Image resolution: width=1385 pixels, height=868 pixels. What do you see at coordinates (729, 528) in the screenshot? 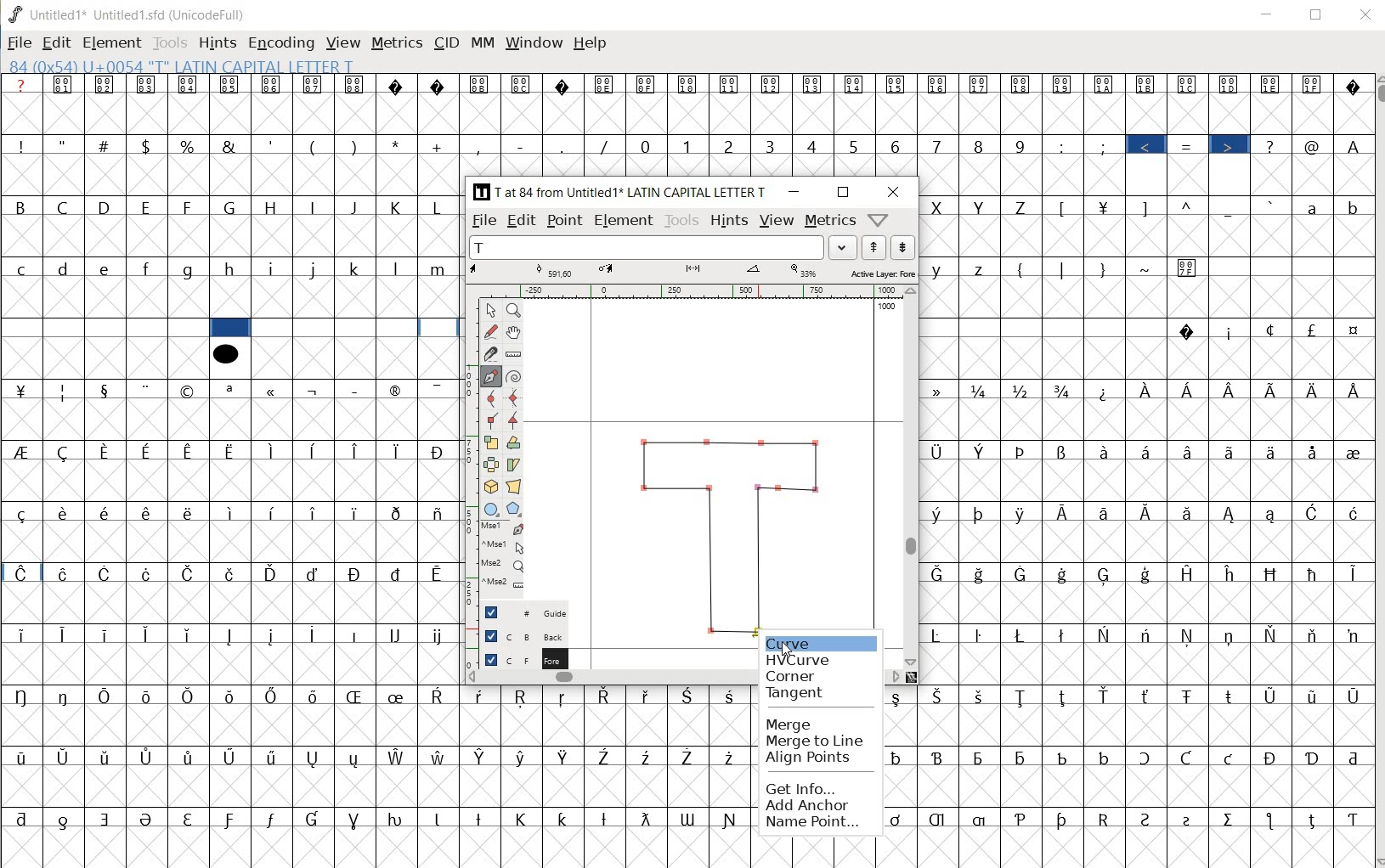
I see `glyph letter T` at bounding box center [729, 528].